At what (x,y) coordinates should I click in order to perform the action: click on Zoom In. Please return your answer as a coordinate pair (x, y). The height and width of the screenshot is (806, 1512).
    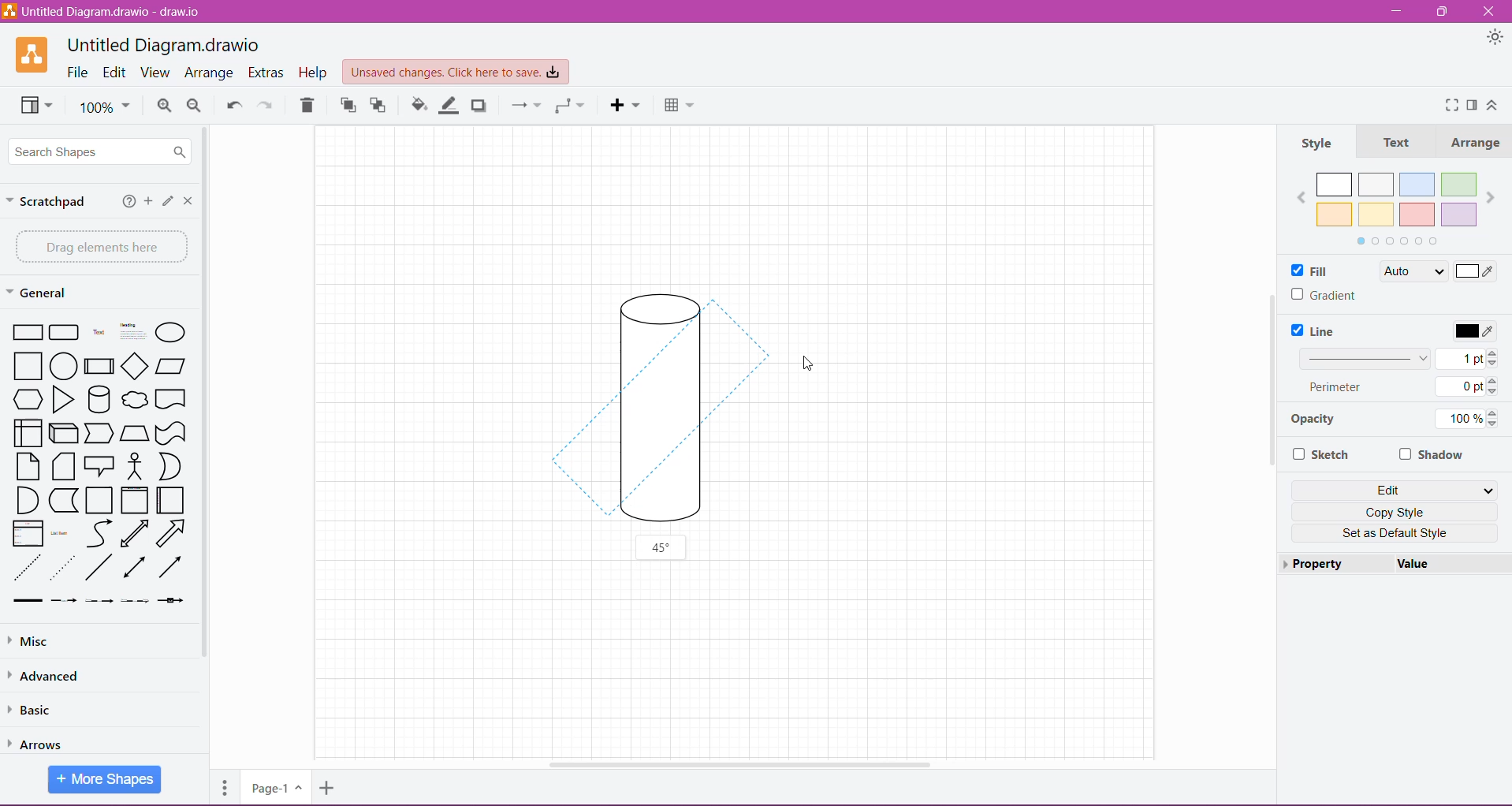
    Looking at the image, I should click on (164, 106).